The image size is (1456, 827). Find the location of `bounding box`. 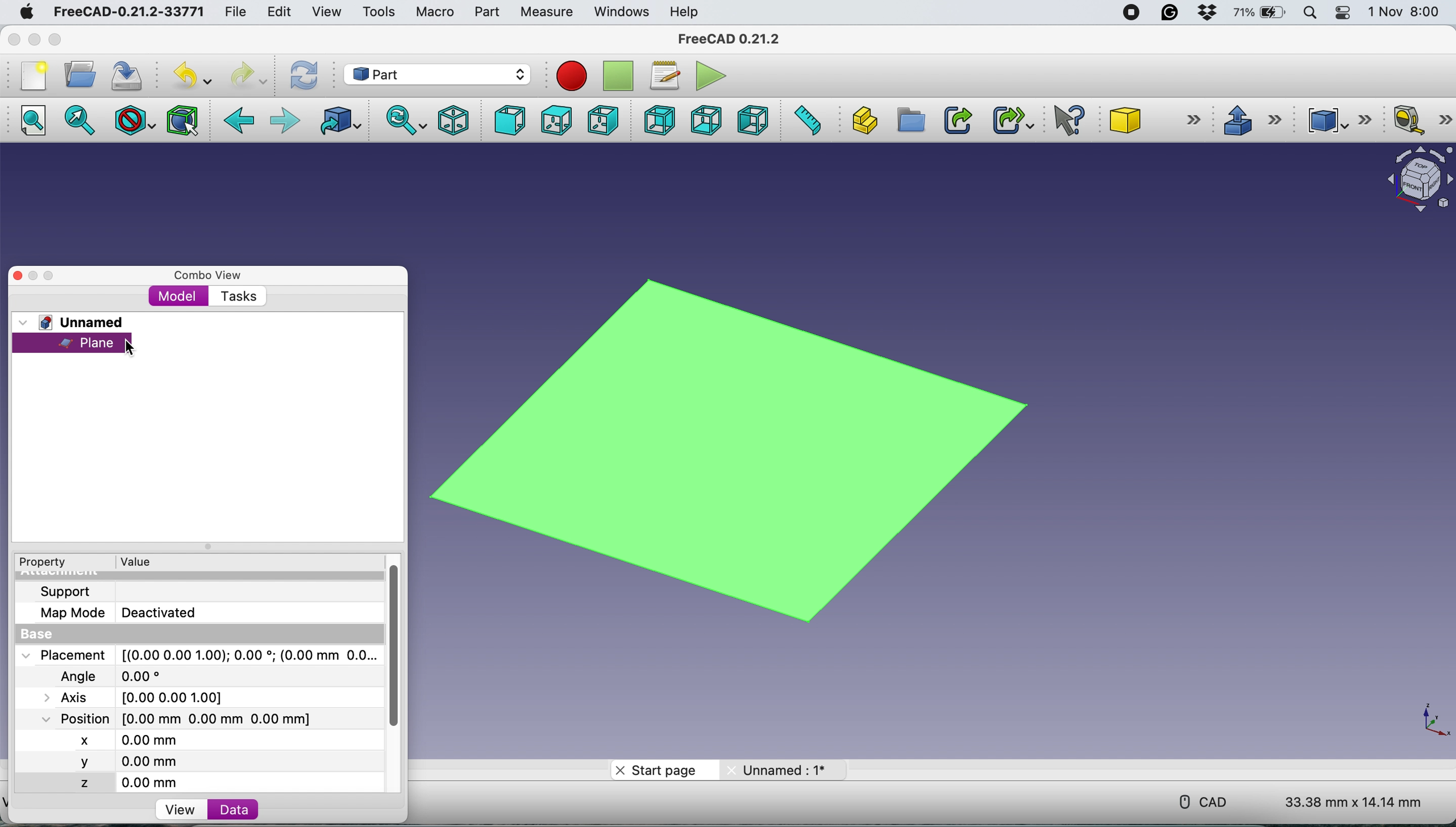

bounding box is located at coordinates (182, 120).